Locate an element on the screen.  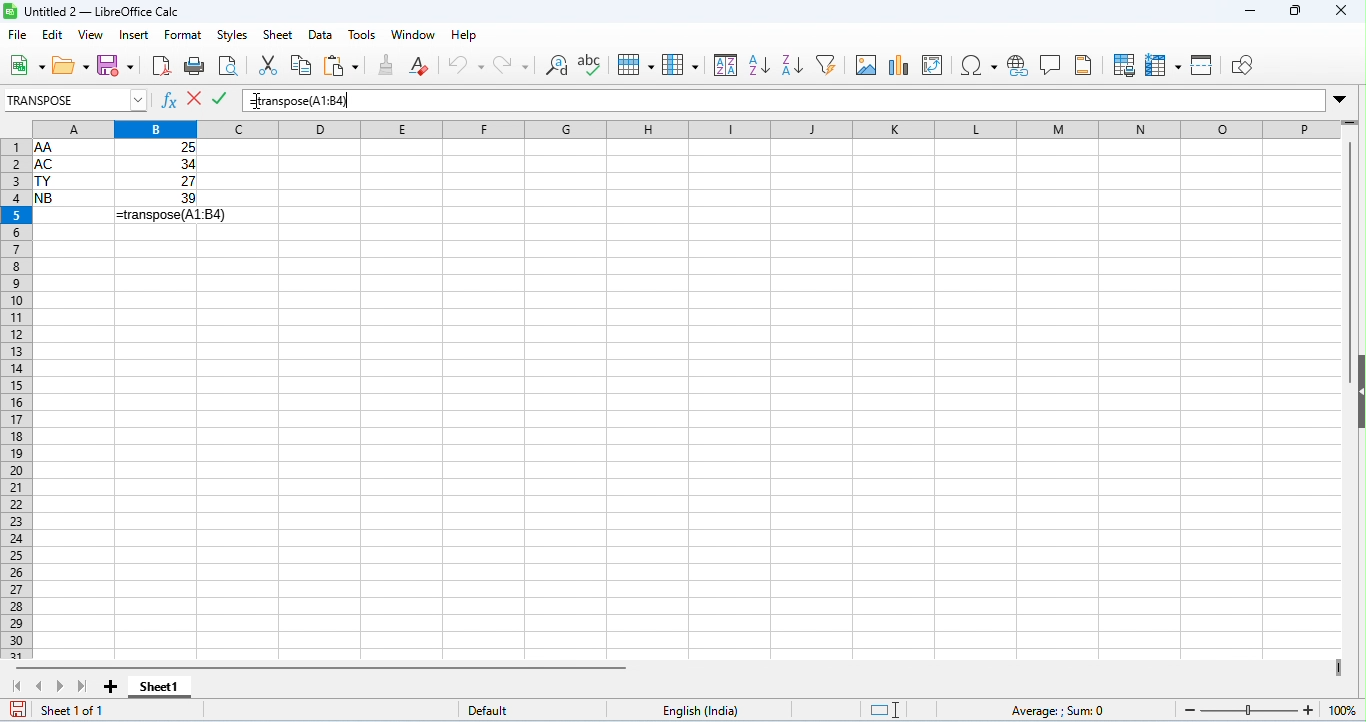
reject is located at coordinates (195, 97).